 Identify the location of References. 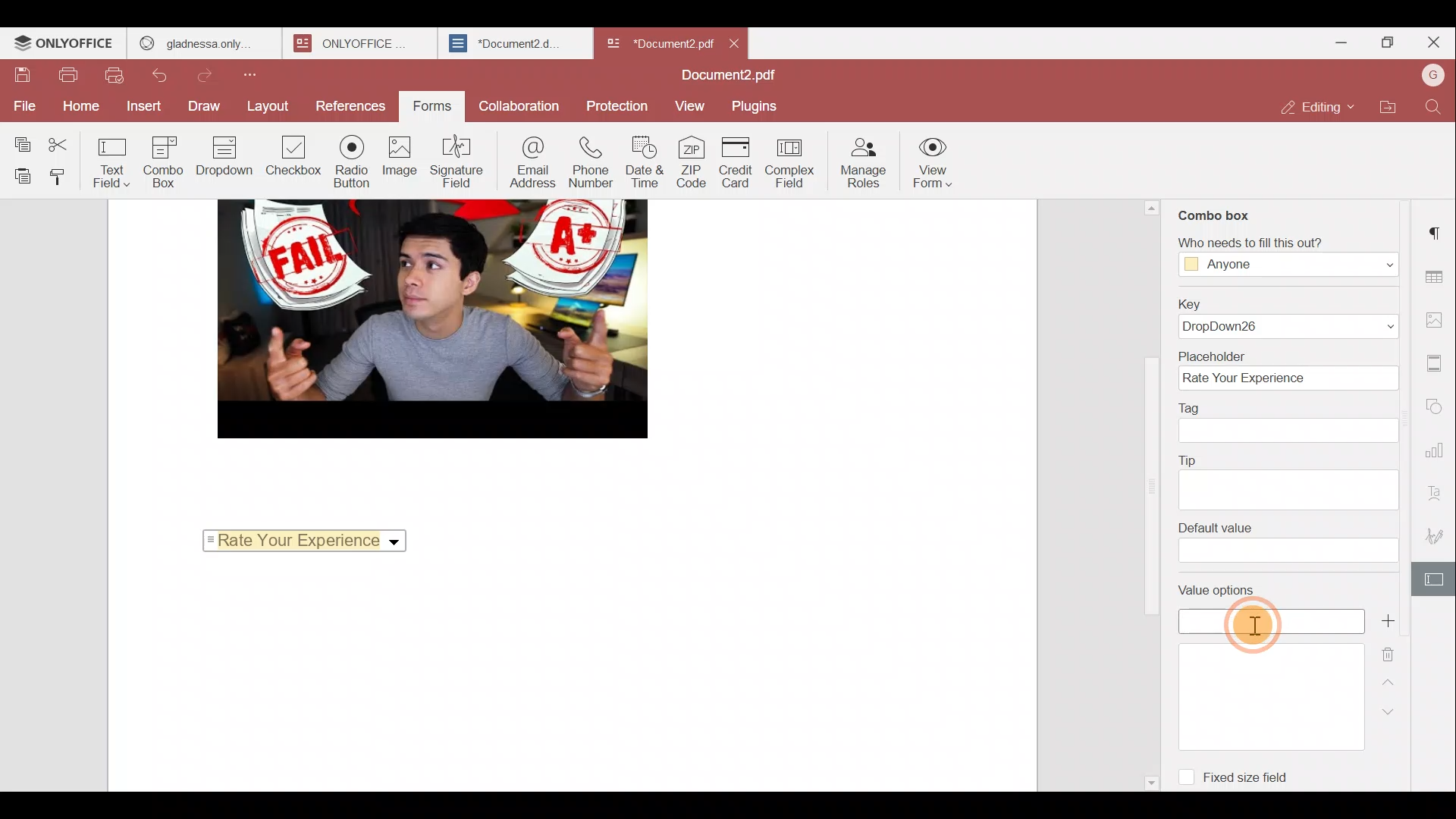
(347, 104).